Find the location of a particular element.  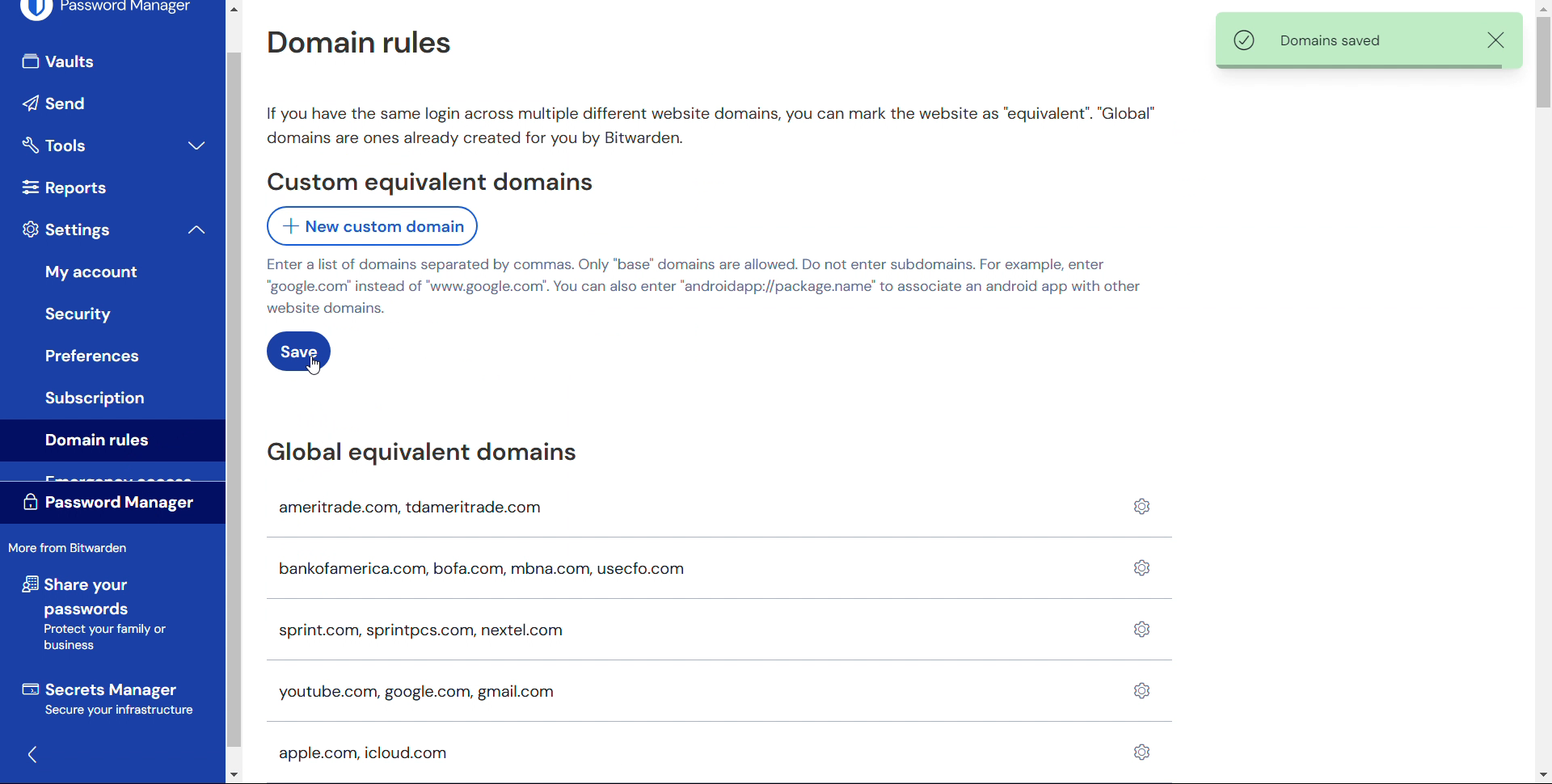

Custom equivalent domains  is located at coordinates (429, 183).